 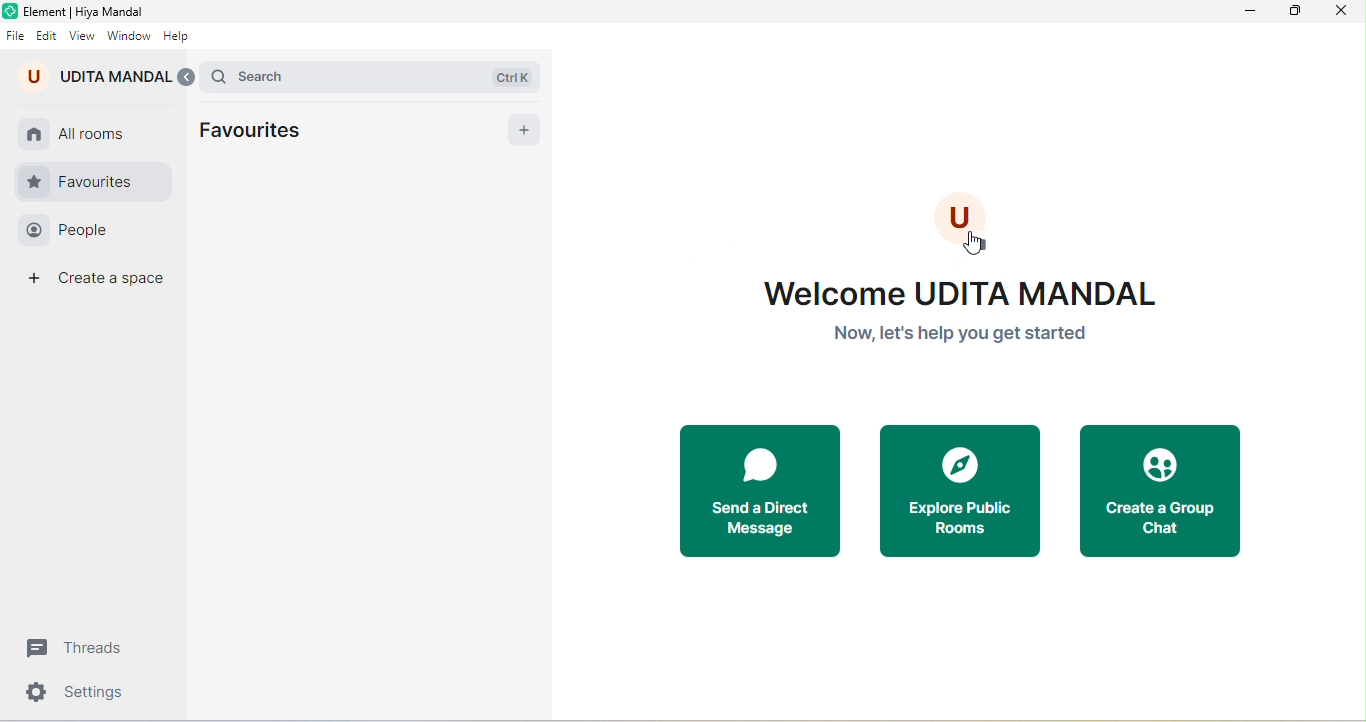 I want to click on maximize, so click(x=1294, y=12).